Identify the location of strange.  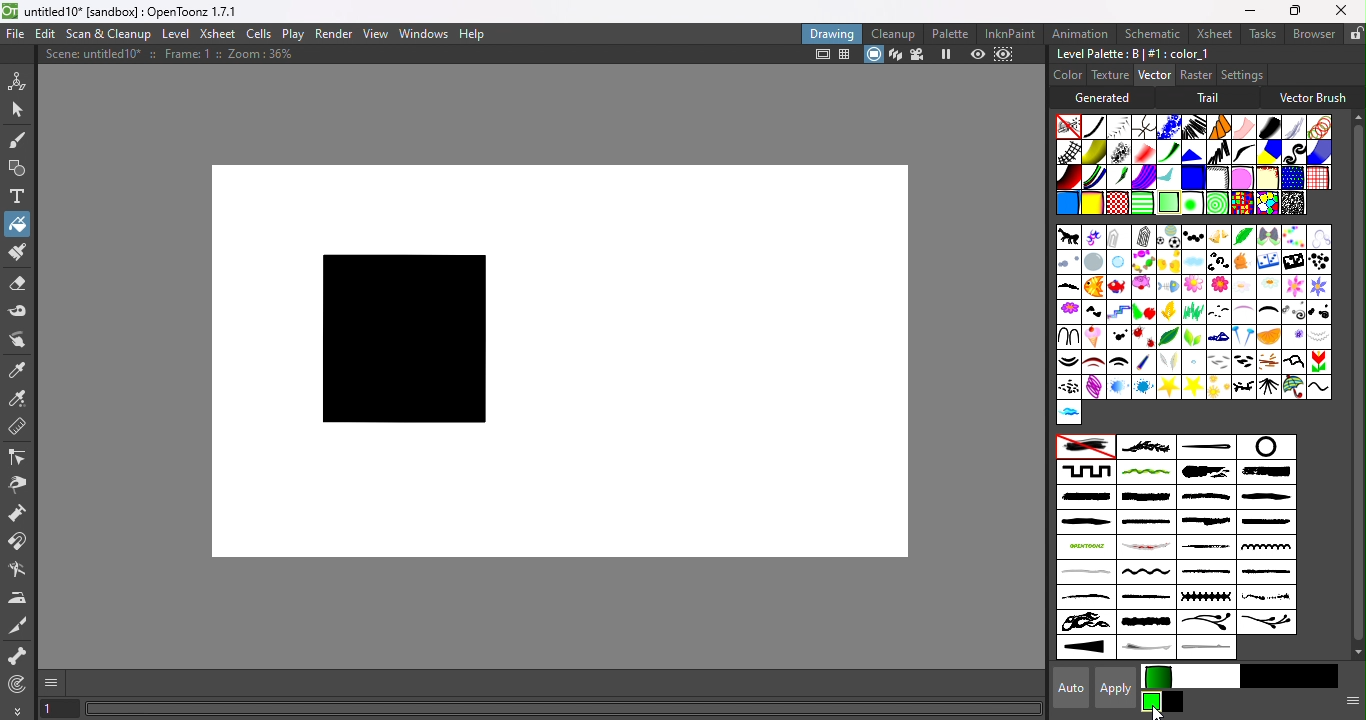
(1147, 623).